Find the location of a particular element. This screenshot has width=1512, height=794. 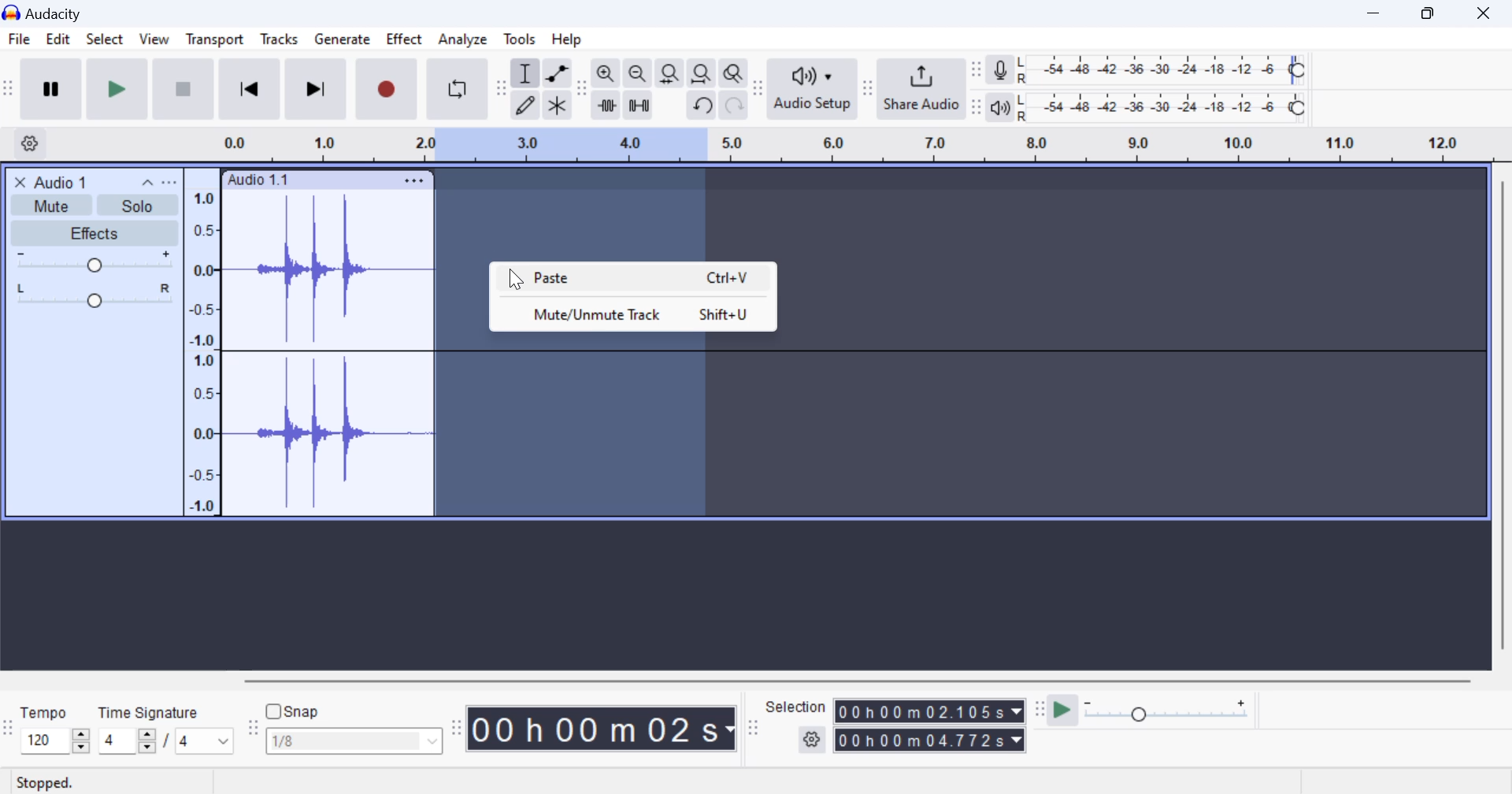

fit project to width is located at coordinates (702, 74).